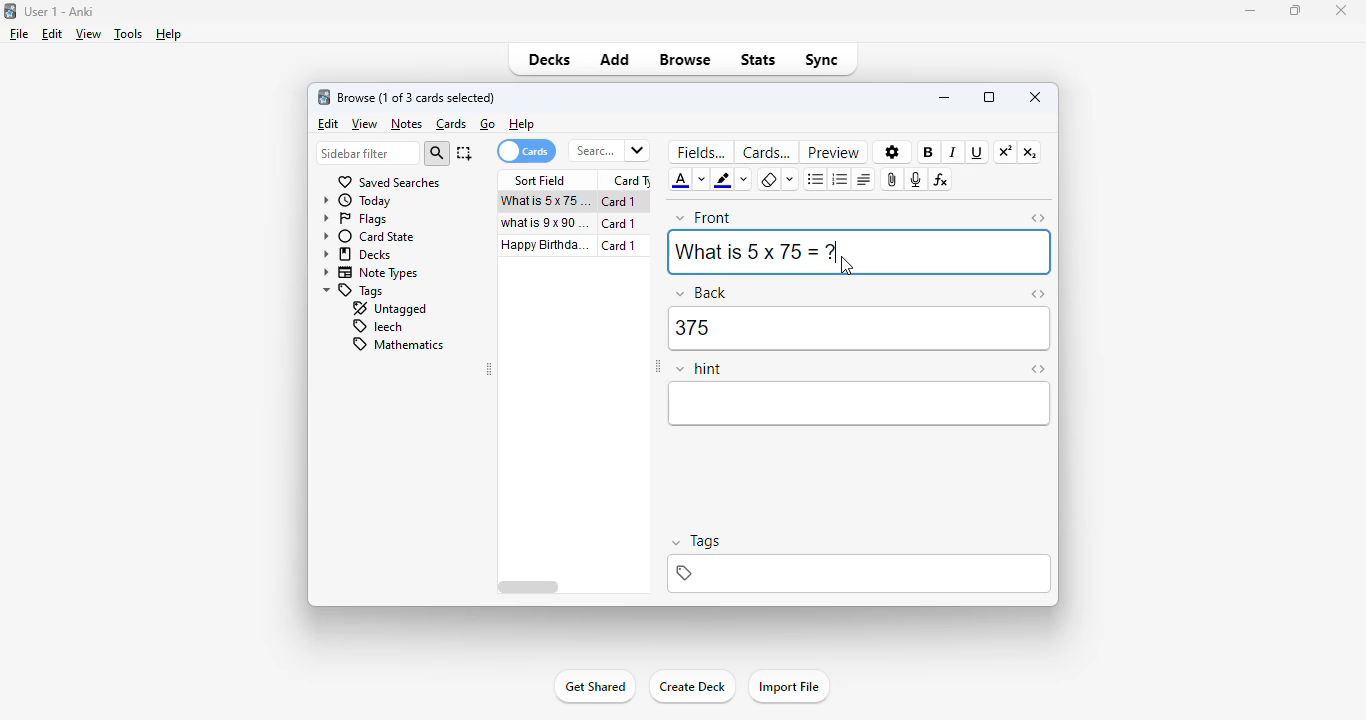 Image resolution: width=1366 pixels, height=720 pixels. Describe the element at coordinates (324, 97) in the screenshot. I see `logo` at that location.